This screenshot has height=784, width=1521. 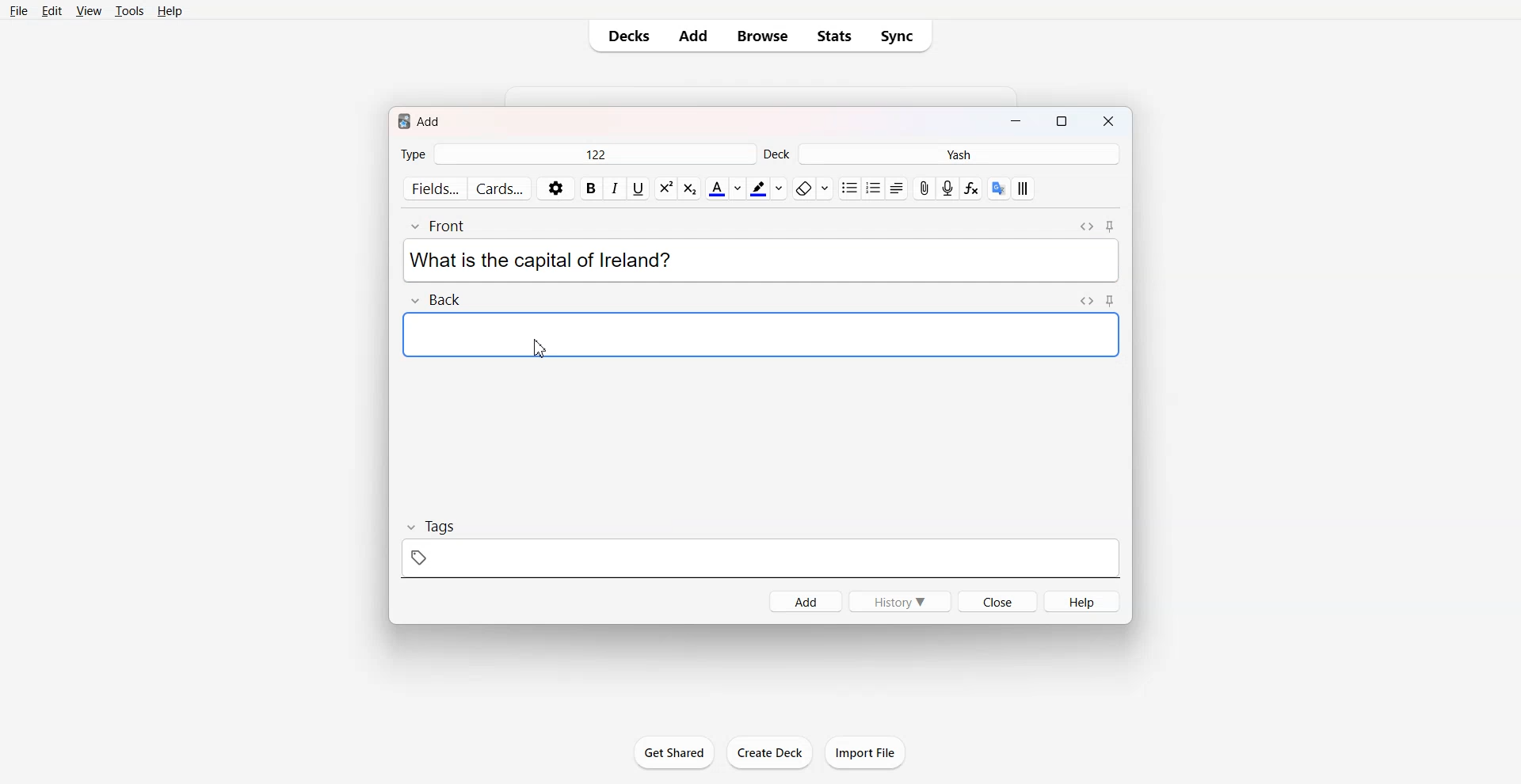 What do you see at coordinates (501, 188) in the screenshot?
I see `Cards` at bounding box center [501, 188].